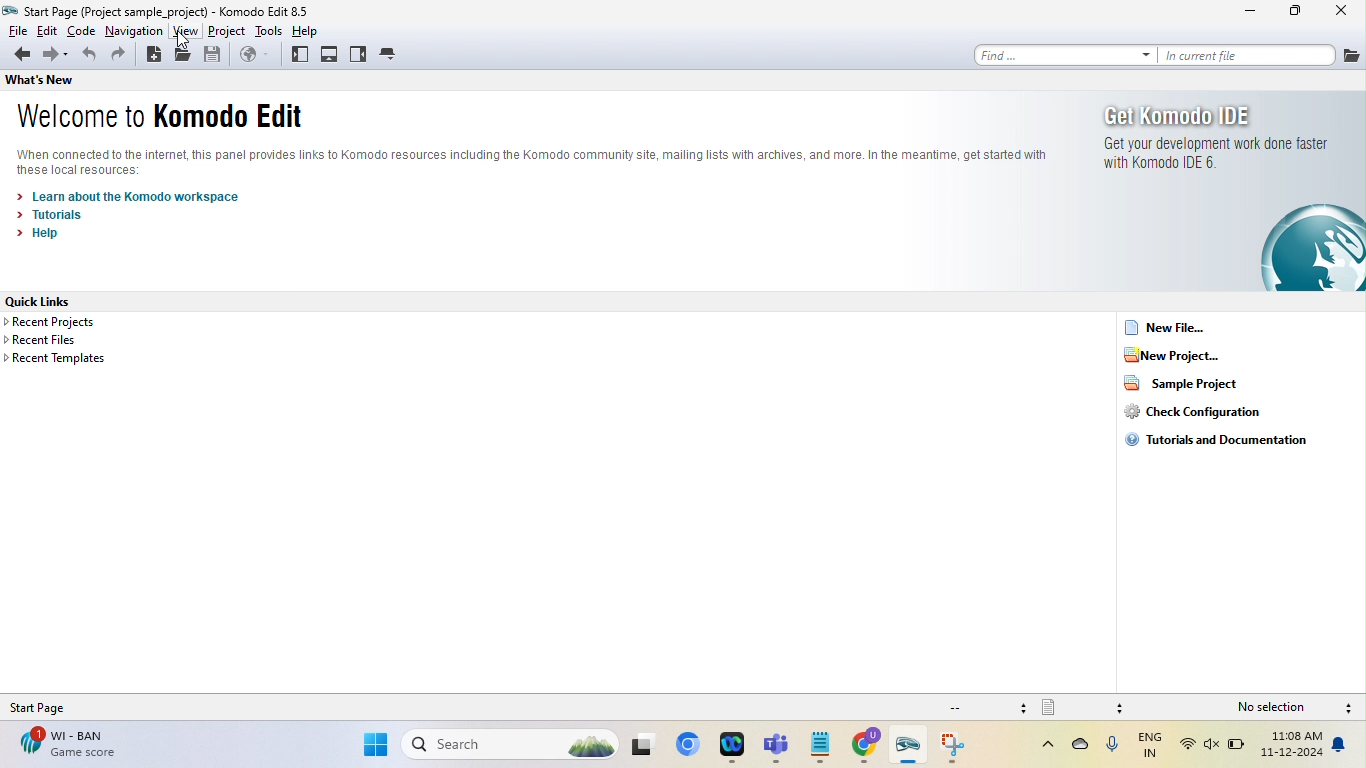  What do you see at coordinates (1197, 115) in the screenshot?
I see `get komodo ide` at bounding box center [1197, 115].